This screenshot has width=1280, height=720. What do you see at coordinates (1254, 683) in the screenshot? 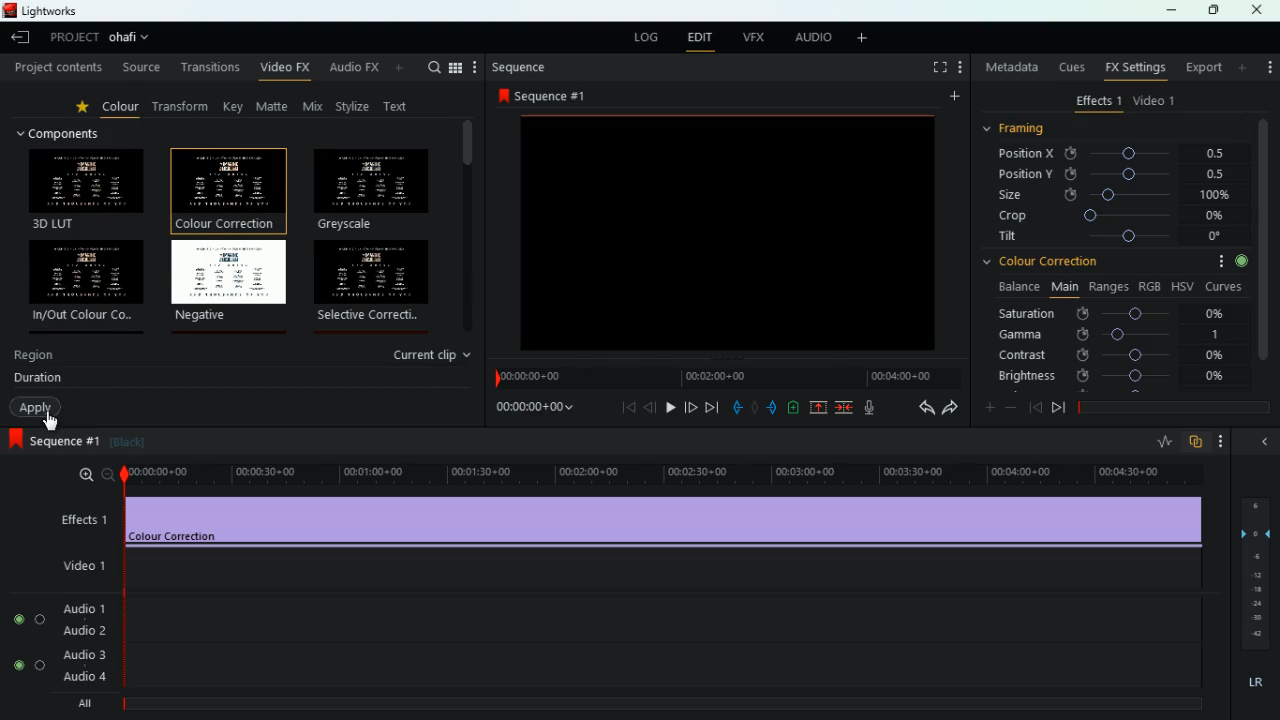
I see `LR` at bounding box center [1254, 683].